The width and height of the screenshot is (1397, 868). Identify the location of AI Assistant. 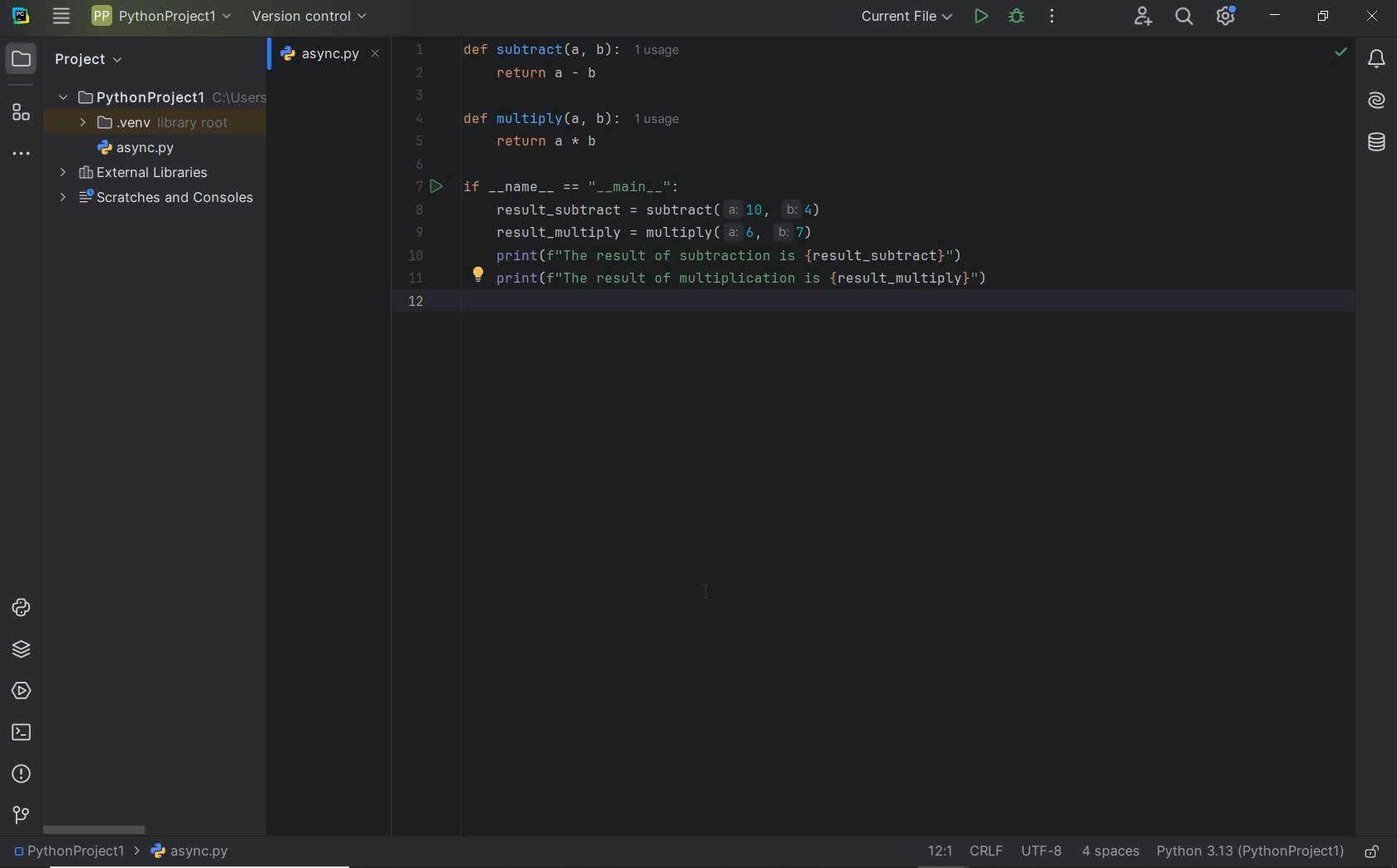
(1378, 102).